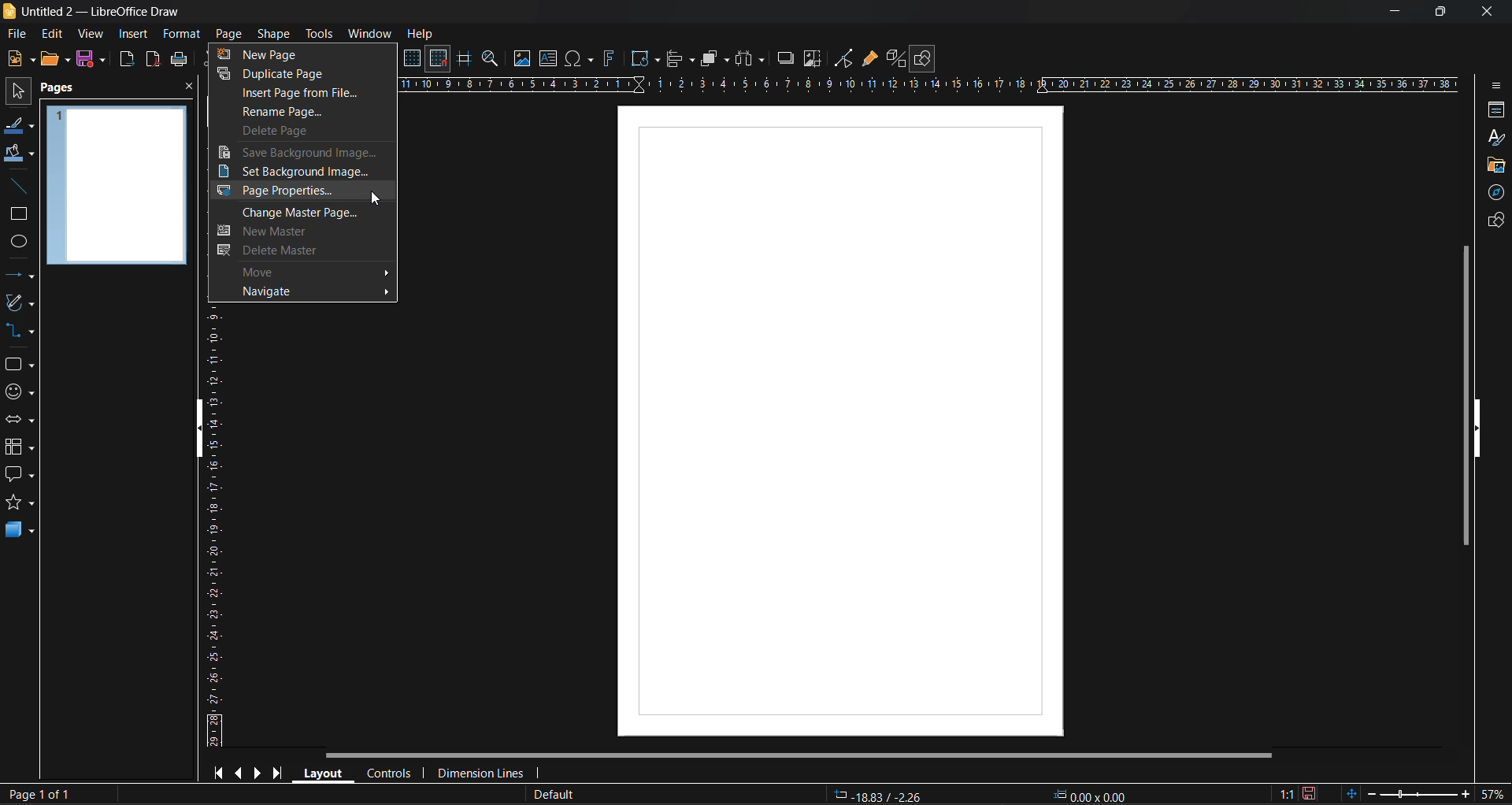 The height and width of the screenshot is (805, 1512). Describe the element at coordinates (18, 214) in the screenshot. I see `rectangle` at that location.